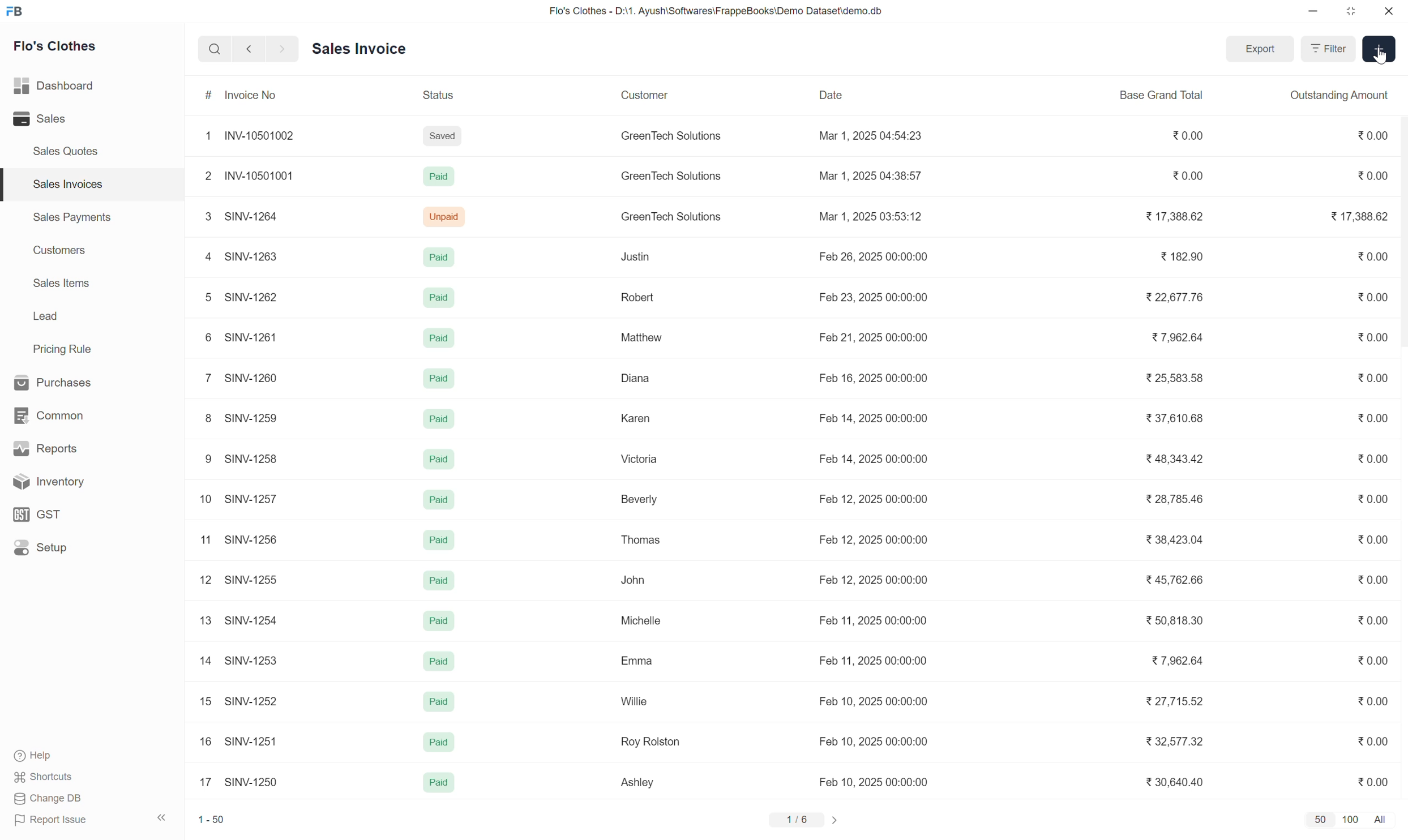  I want to click on sales invoice , so click(374, 48).